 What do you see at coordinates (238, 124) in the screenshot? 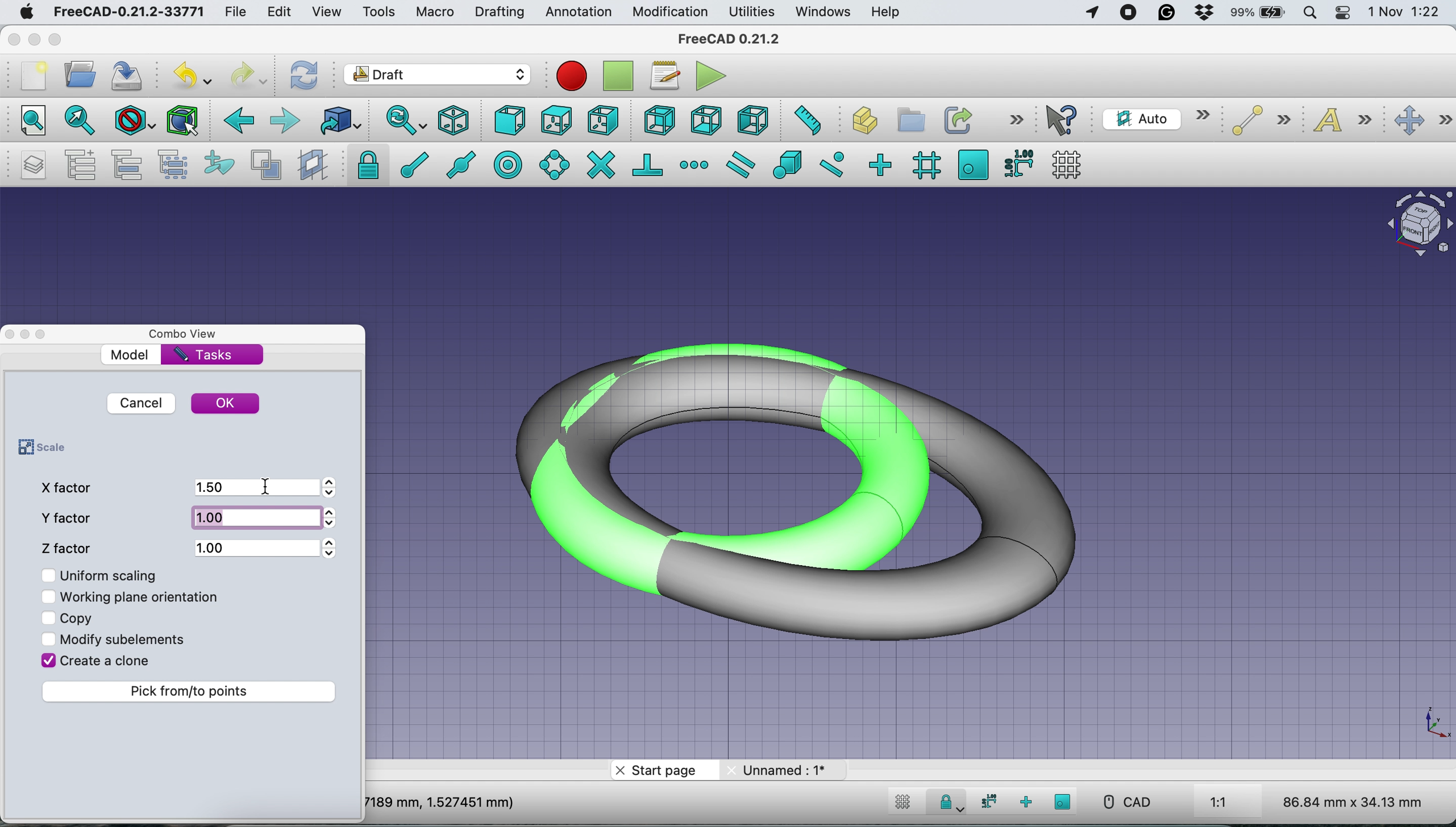
I see `backward` at bounding box center [238, 124].